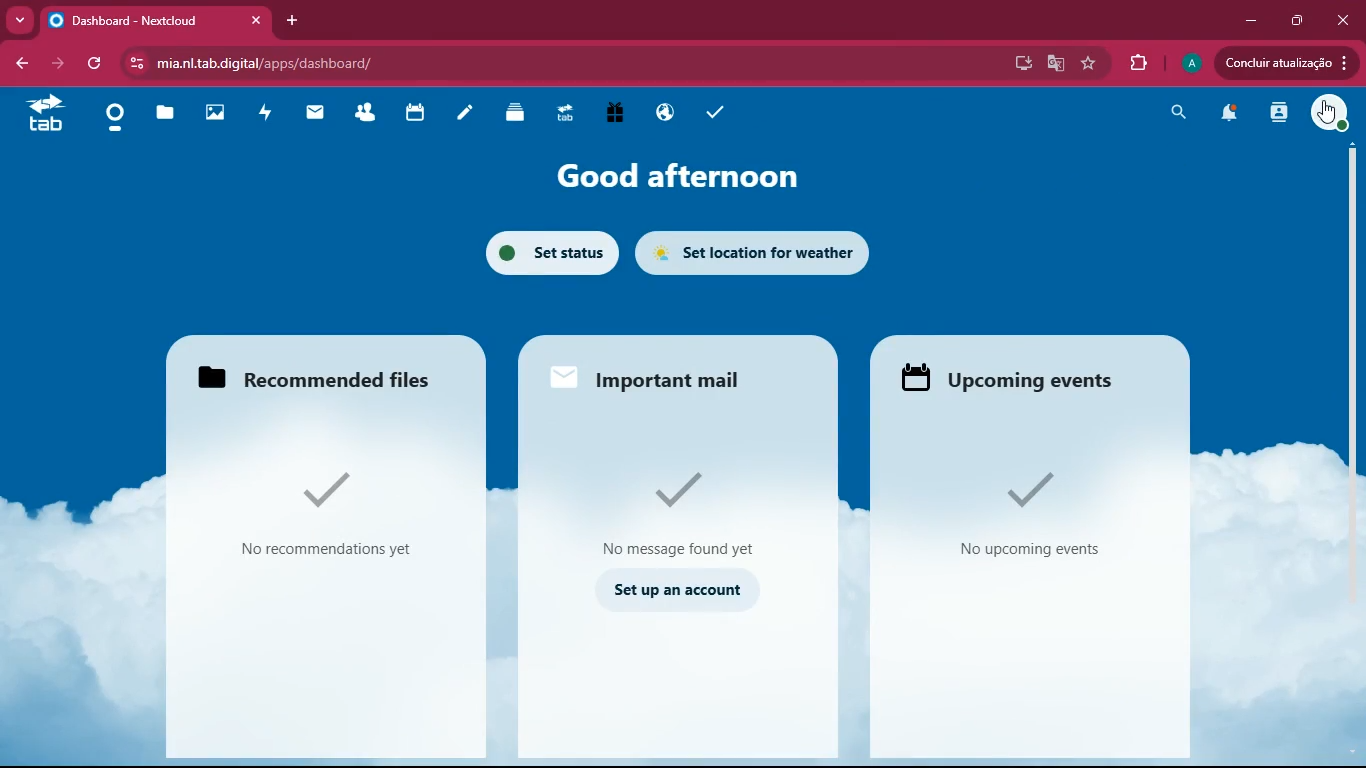  Describe the element at coordinates (756, 252) in the screenshot. I see `set location for weather` at that location.